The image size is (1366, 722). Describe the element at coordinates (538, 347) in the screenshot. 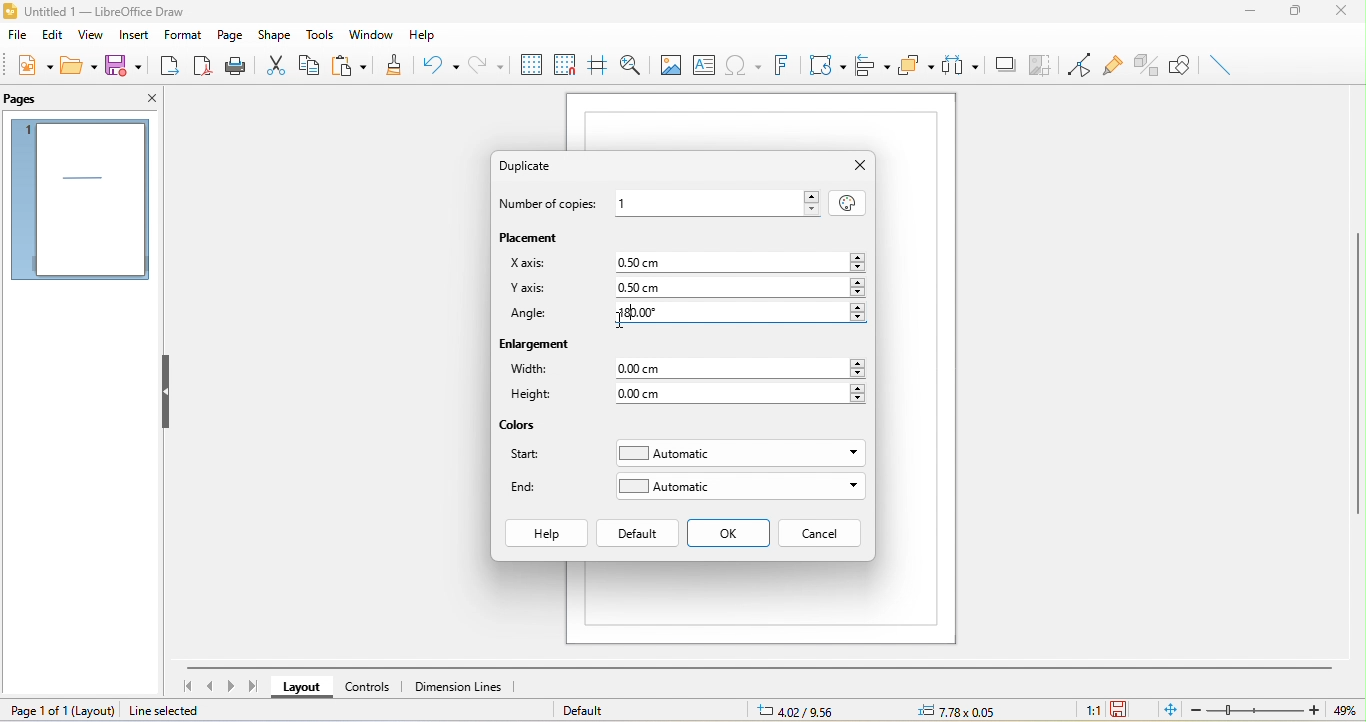

I see `enlargement` at that location.